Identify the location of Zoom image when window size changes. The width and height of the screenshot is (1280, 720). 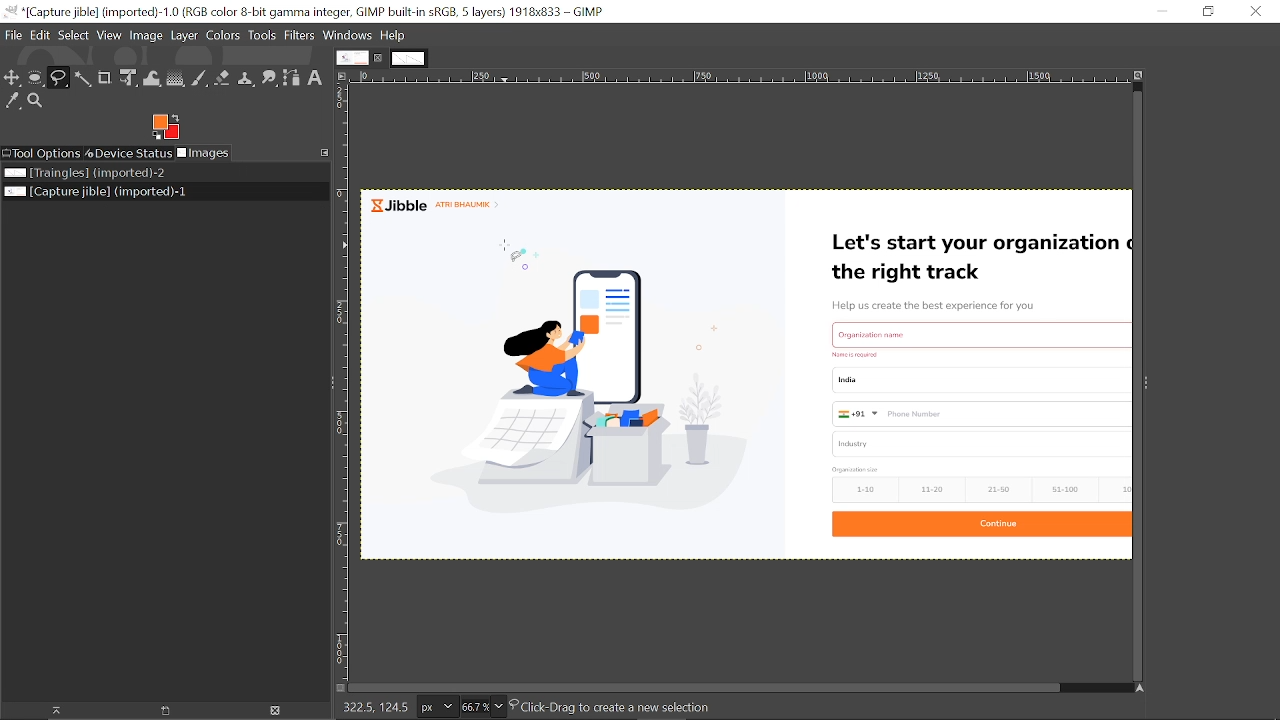
(1139, 77).